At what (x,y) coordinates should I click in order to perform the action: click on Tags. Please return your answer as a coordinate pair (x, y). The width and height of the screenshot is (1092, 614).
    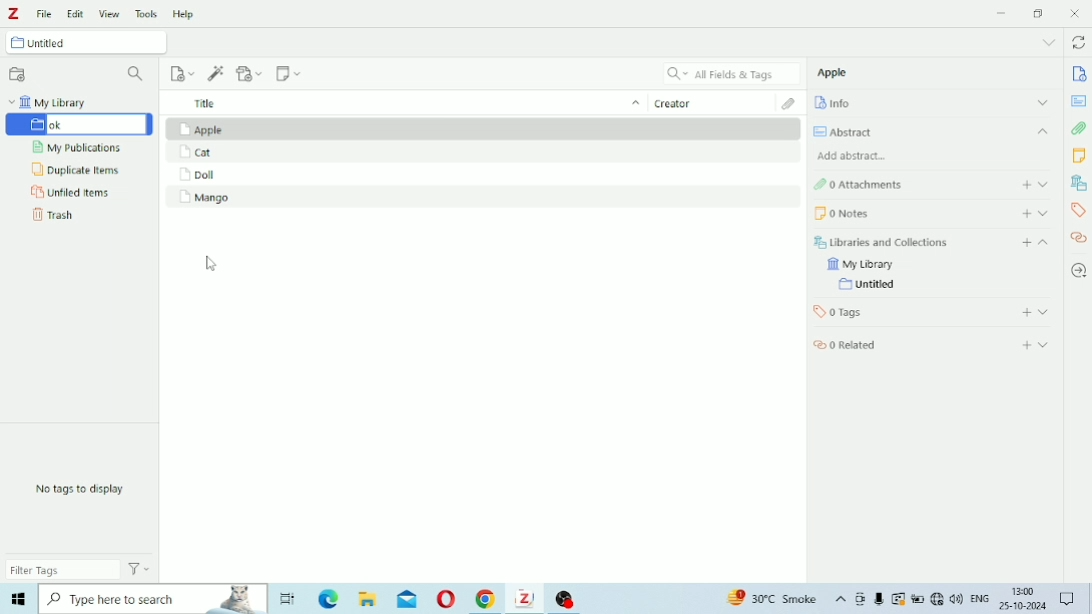
    Looking at the image, I should click on (837, 312).